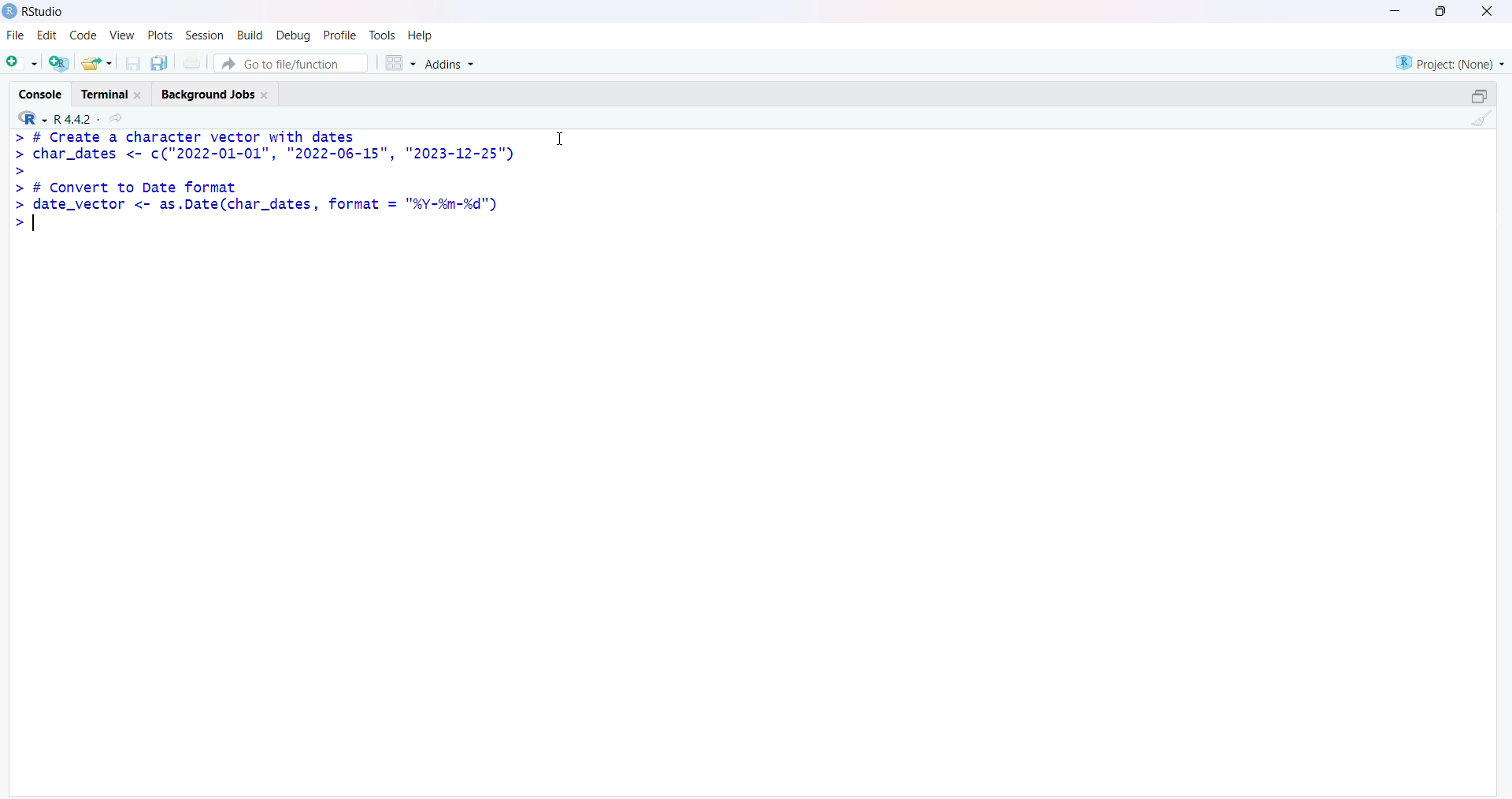 The width and height of the screenshot is (1512, 799). Describe the element at coordinates (164, 61) in the screenshot. I see `Save all open documents (Ctrl + Alt + S)` at that location.